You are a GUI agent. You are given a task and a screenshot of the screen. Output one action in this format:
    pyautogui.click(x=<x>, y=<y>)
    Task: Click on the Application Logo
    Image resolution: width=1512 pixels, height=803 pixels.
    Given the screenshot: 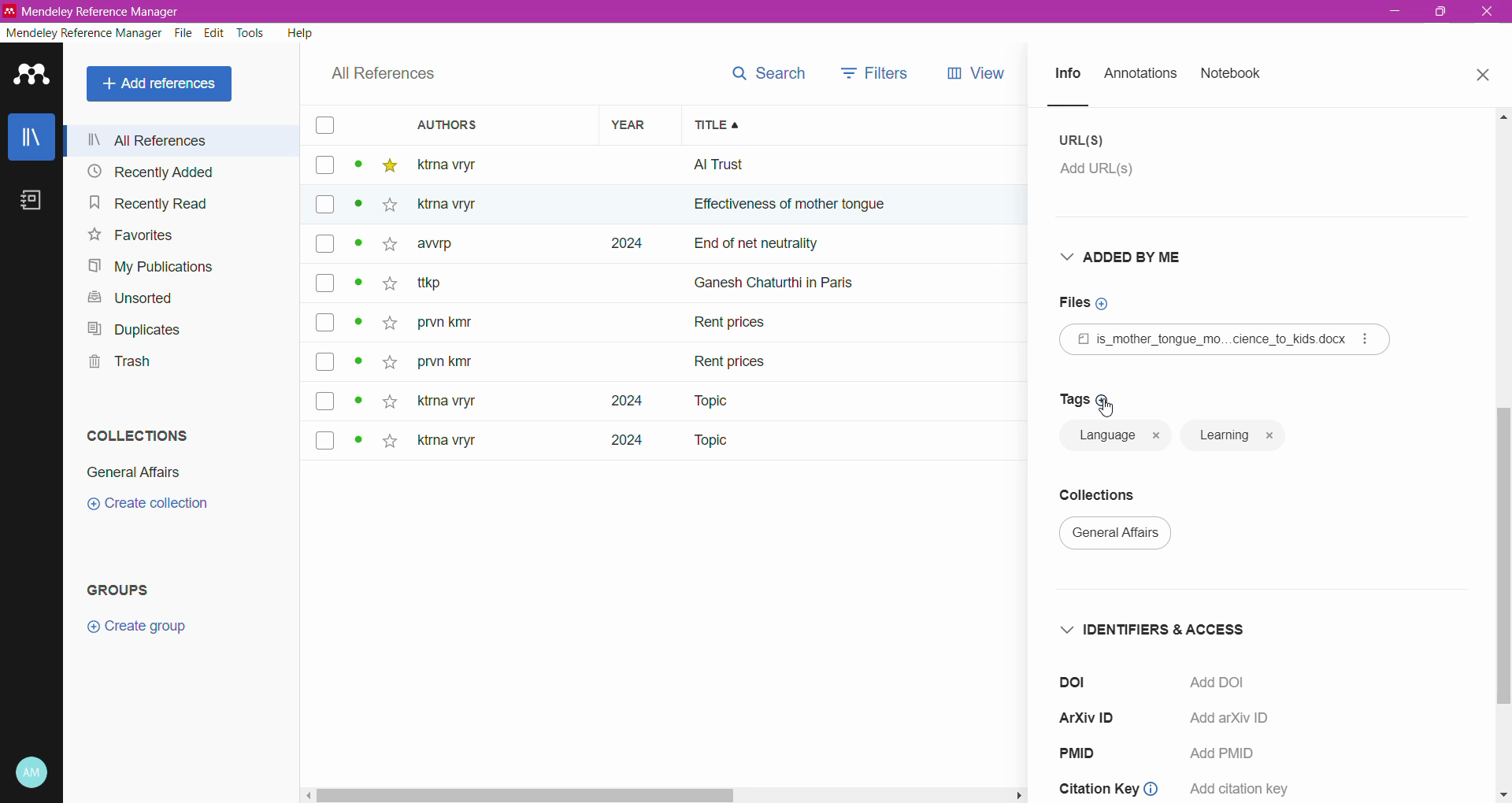 What is the action you would take?
    pyautogui.click(x=32, y=76)
    